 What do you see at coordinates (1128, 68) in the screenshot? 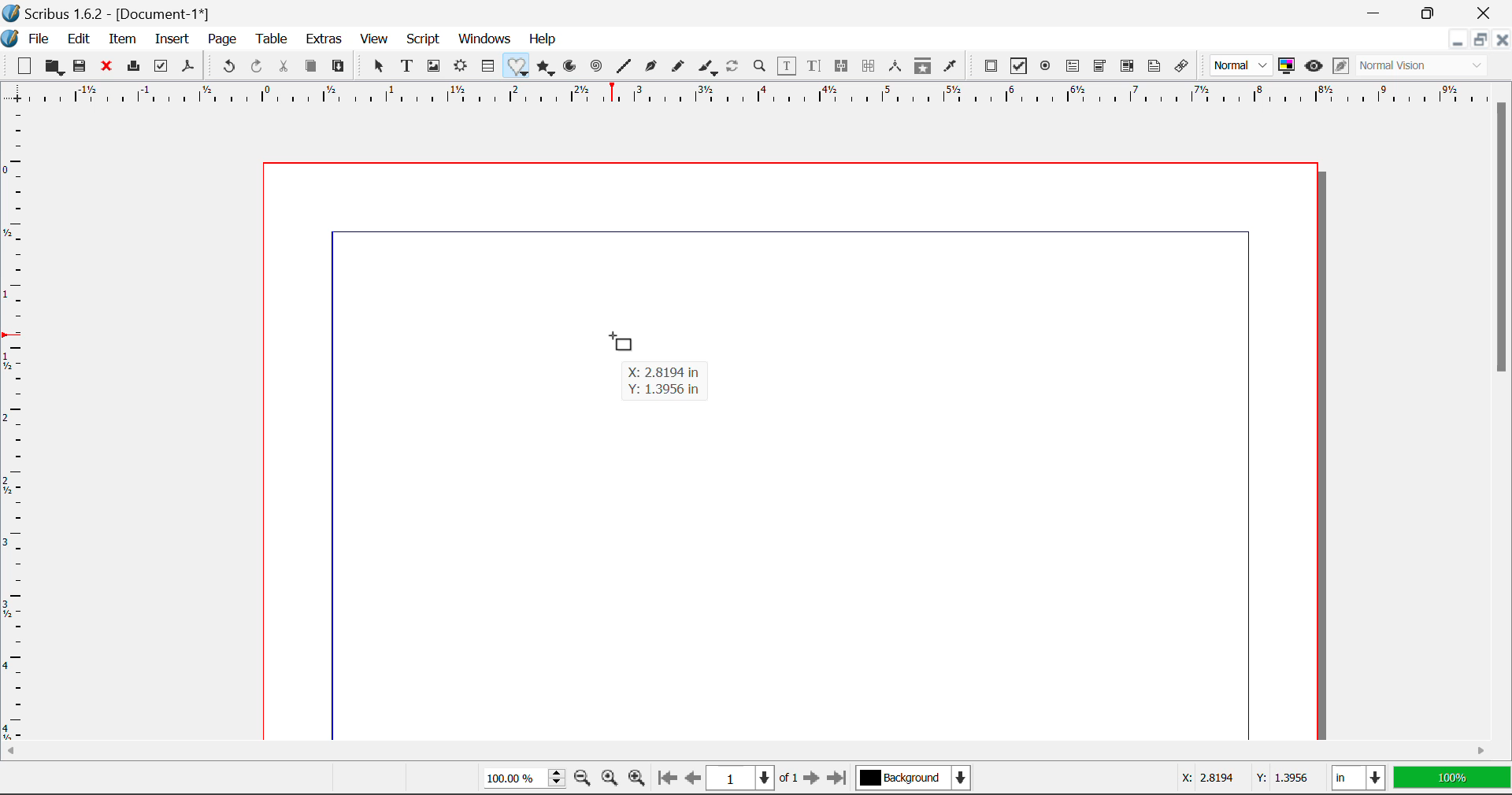
I see `Pdf List box` at bounding box center [1128, 68].